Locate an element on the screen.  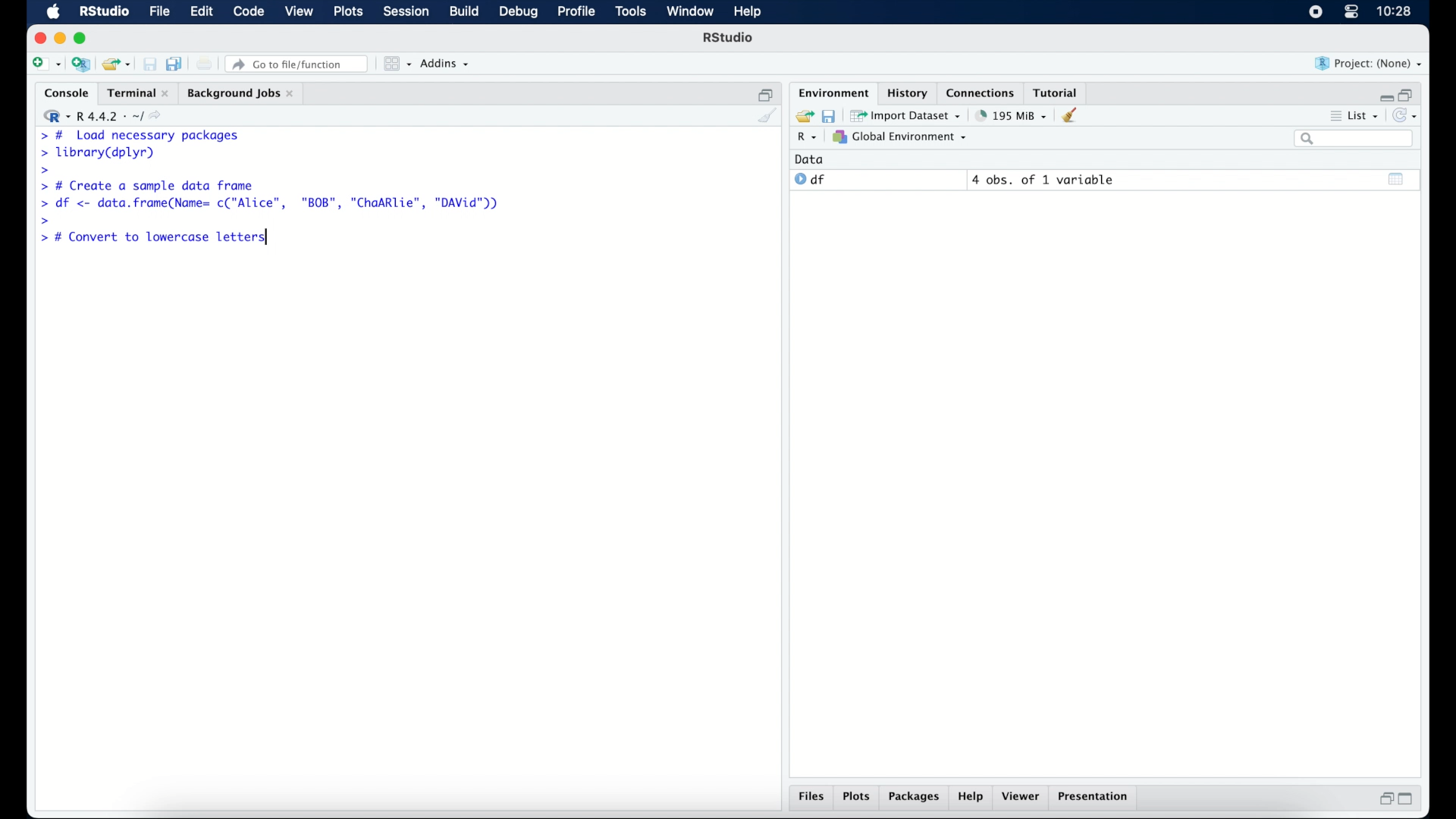
date is located at coordinates (810, 158).